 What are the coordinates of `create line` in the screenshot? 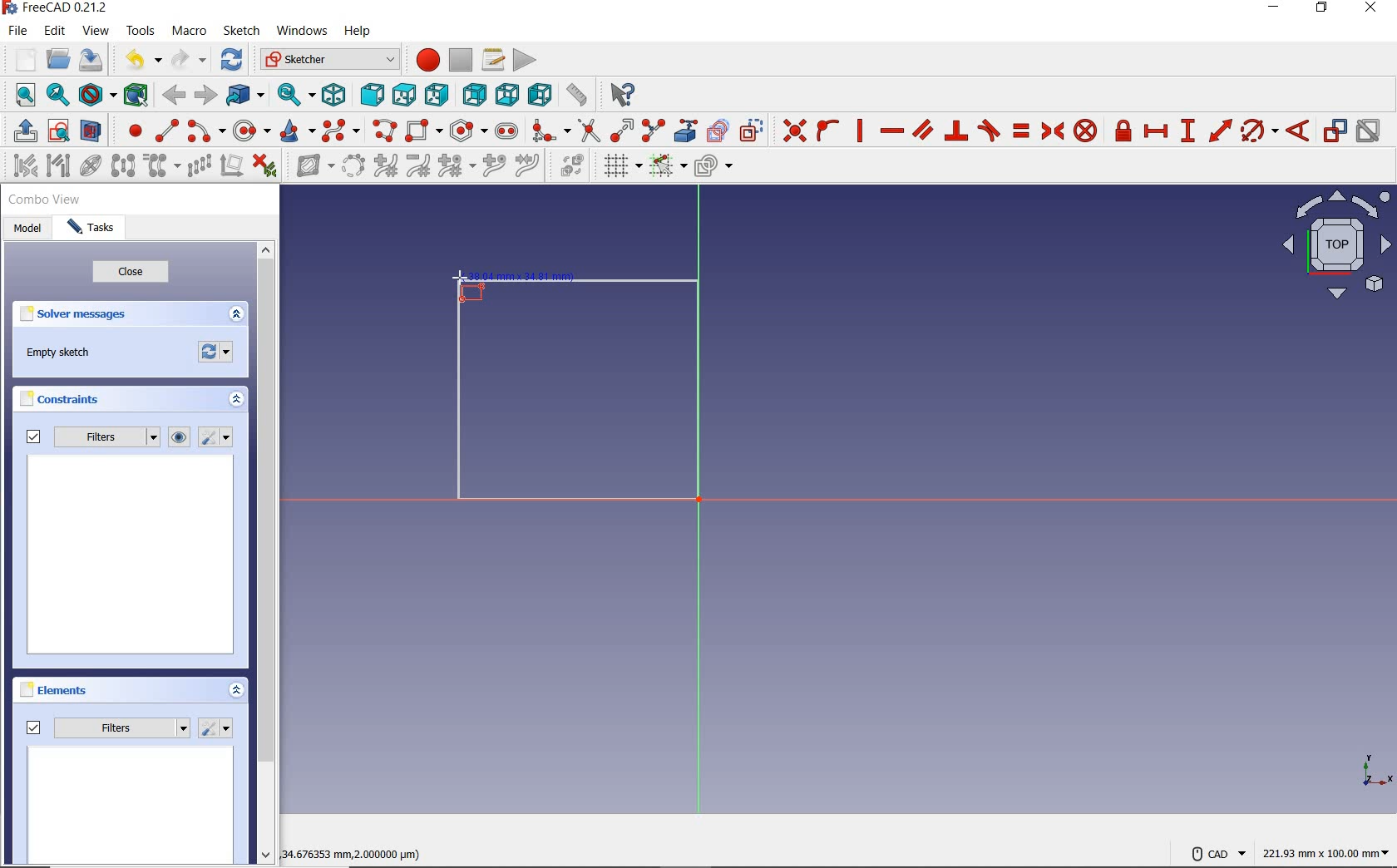 It's located at (164, 130).